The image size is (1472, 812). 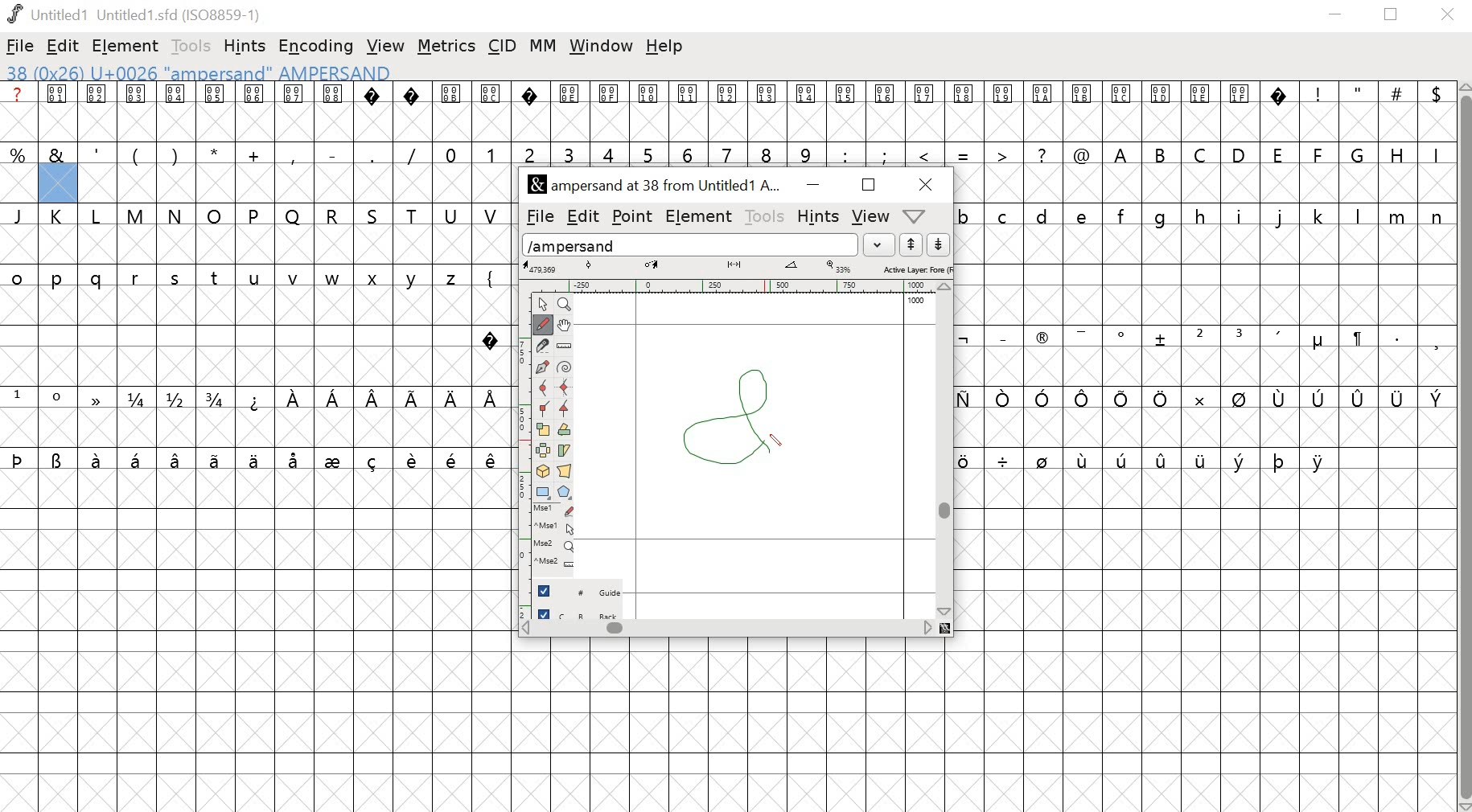 I want to click on 0015, so click(x=846, y=113).